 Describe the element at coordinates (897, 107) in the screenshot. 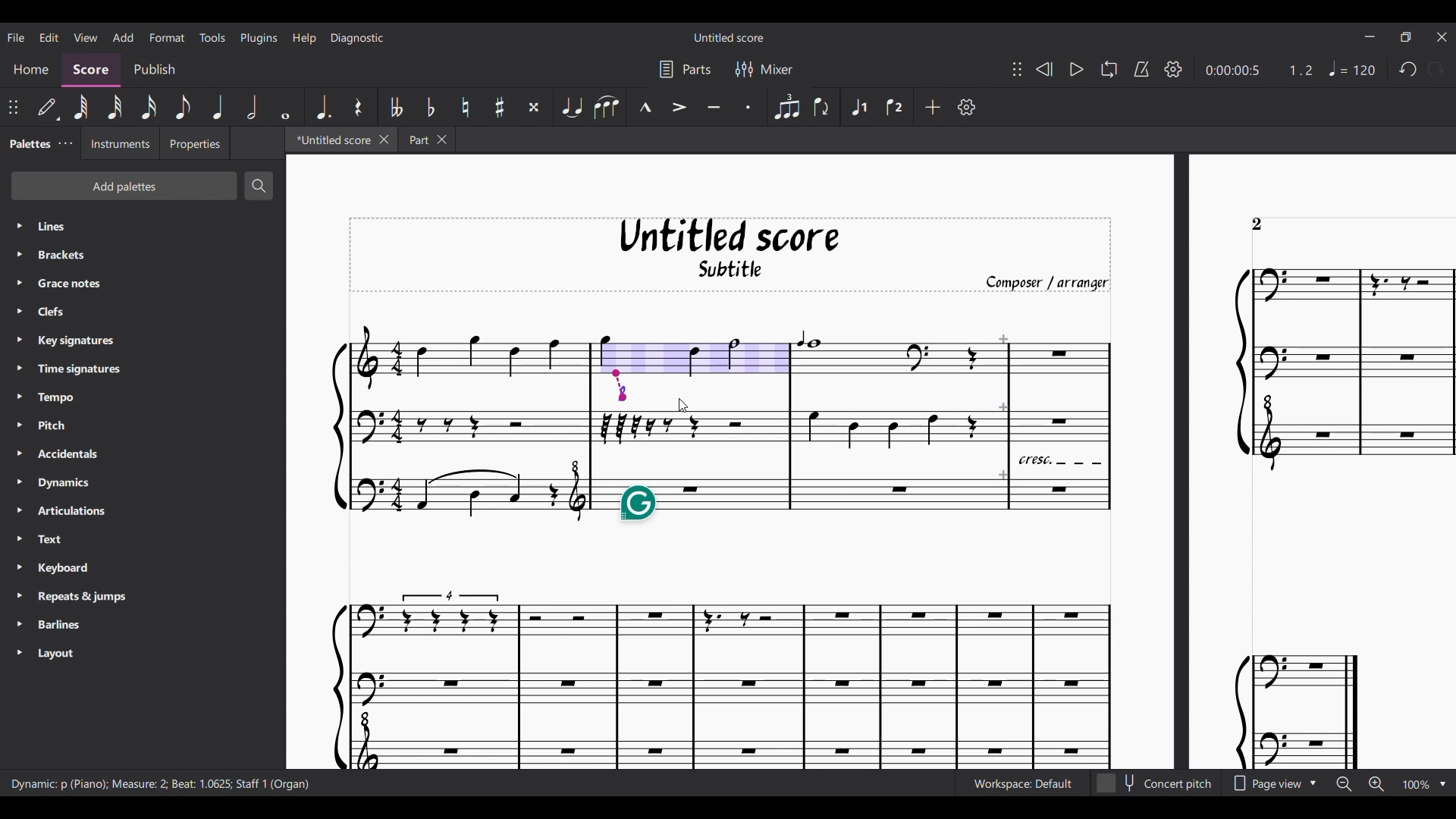

I see `Voice 2` at that location.